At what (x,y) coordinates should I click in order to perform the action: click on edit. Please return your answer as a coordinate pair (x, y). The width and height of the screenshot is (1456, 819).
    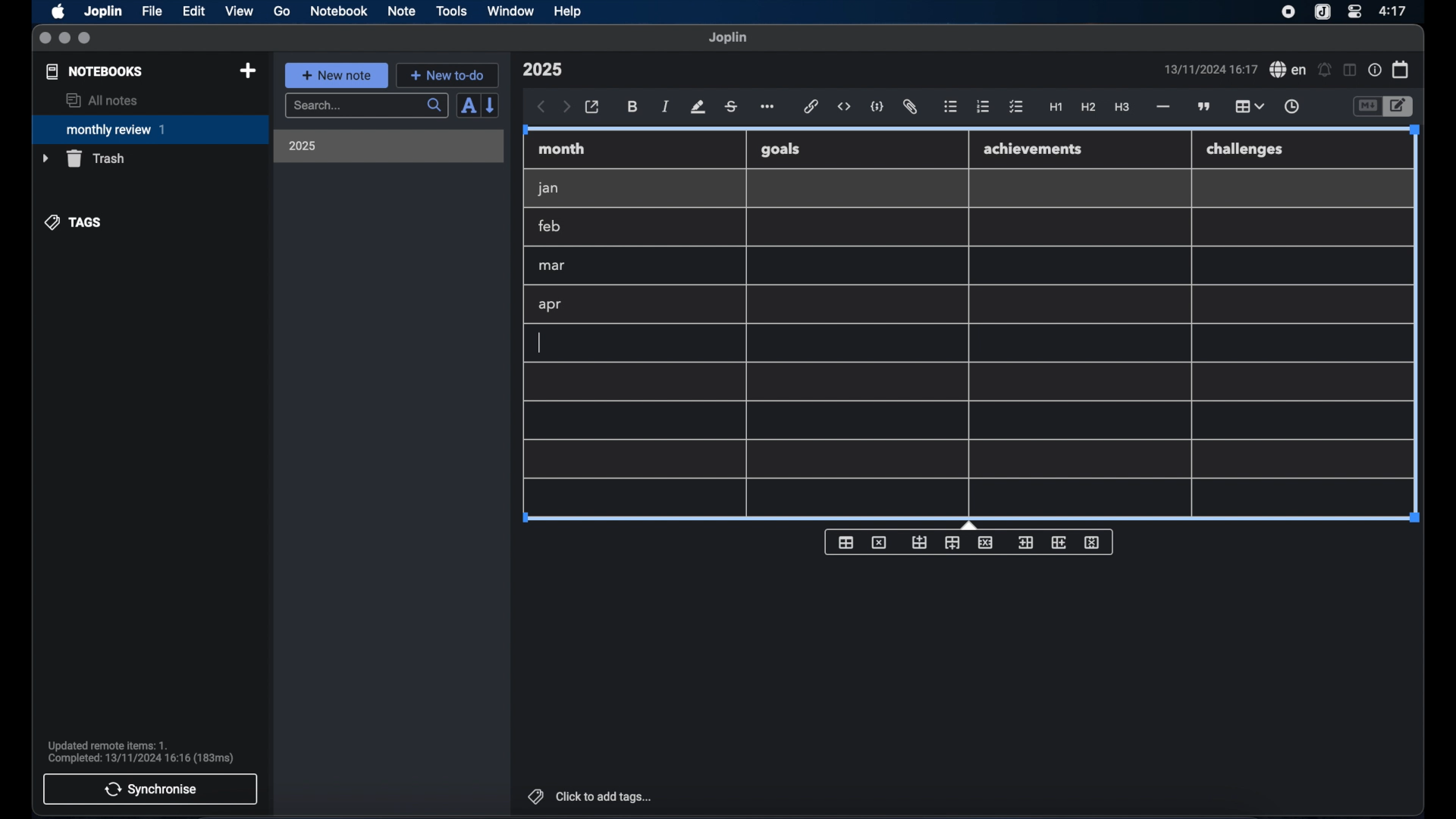
    Looking at the image, I should click on (195, 11).